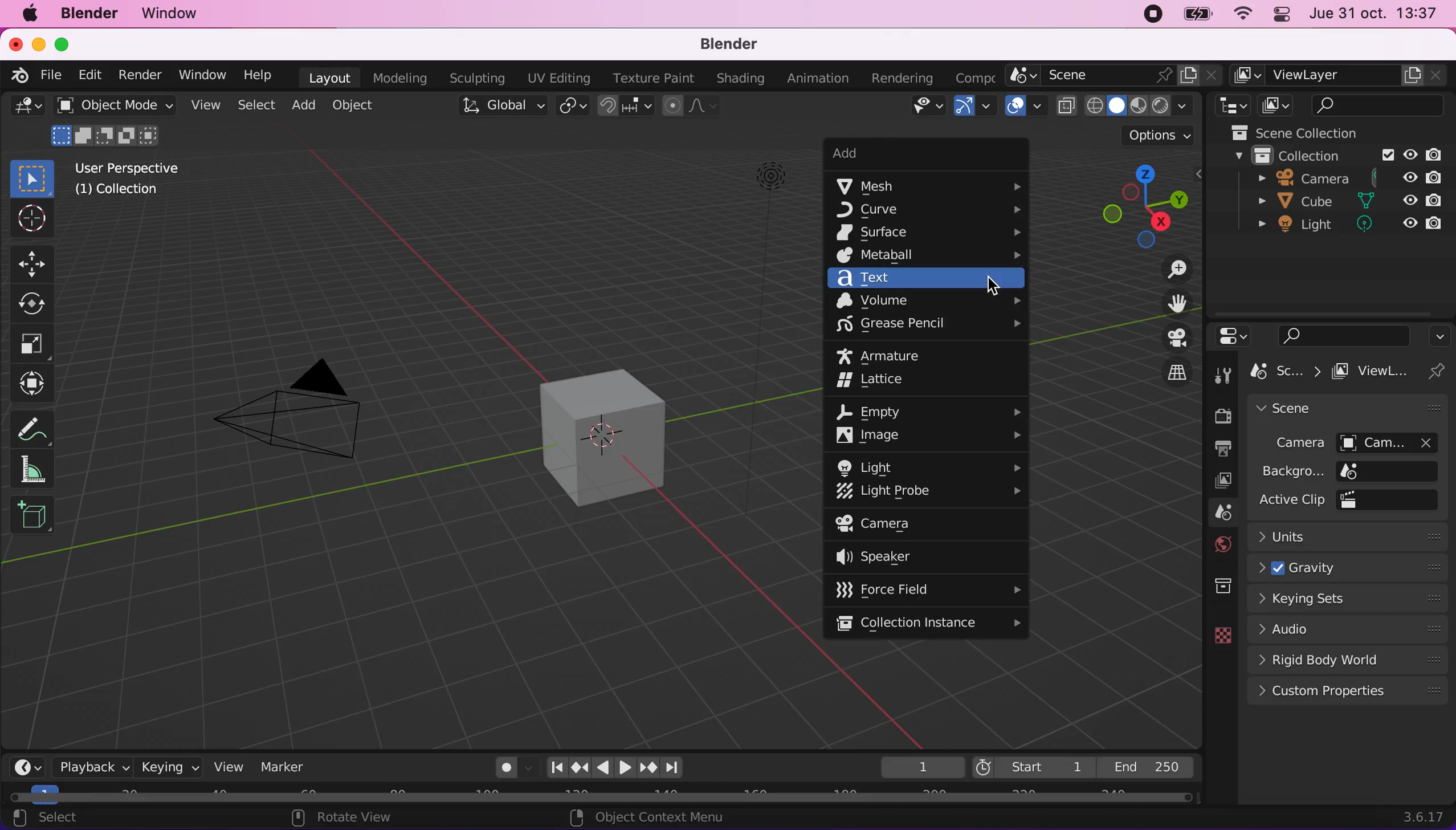 This screenshot has width=1456, height=830. Describe the element at coordinates (1145, 136) in the screenshot. I see `options` at that location.